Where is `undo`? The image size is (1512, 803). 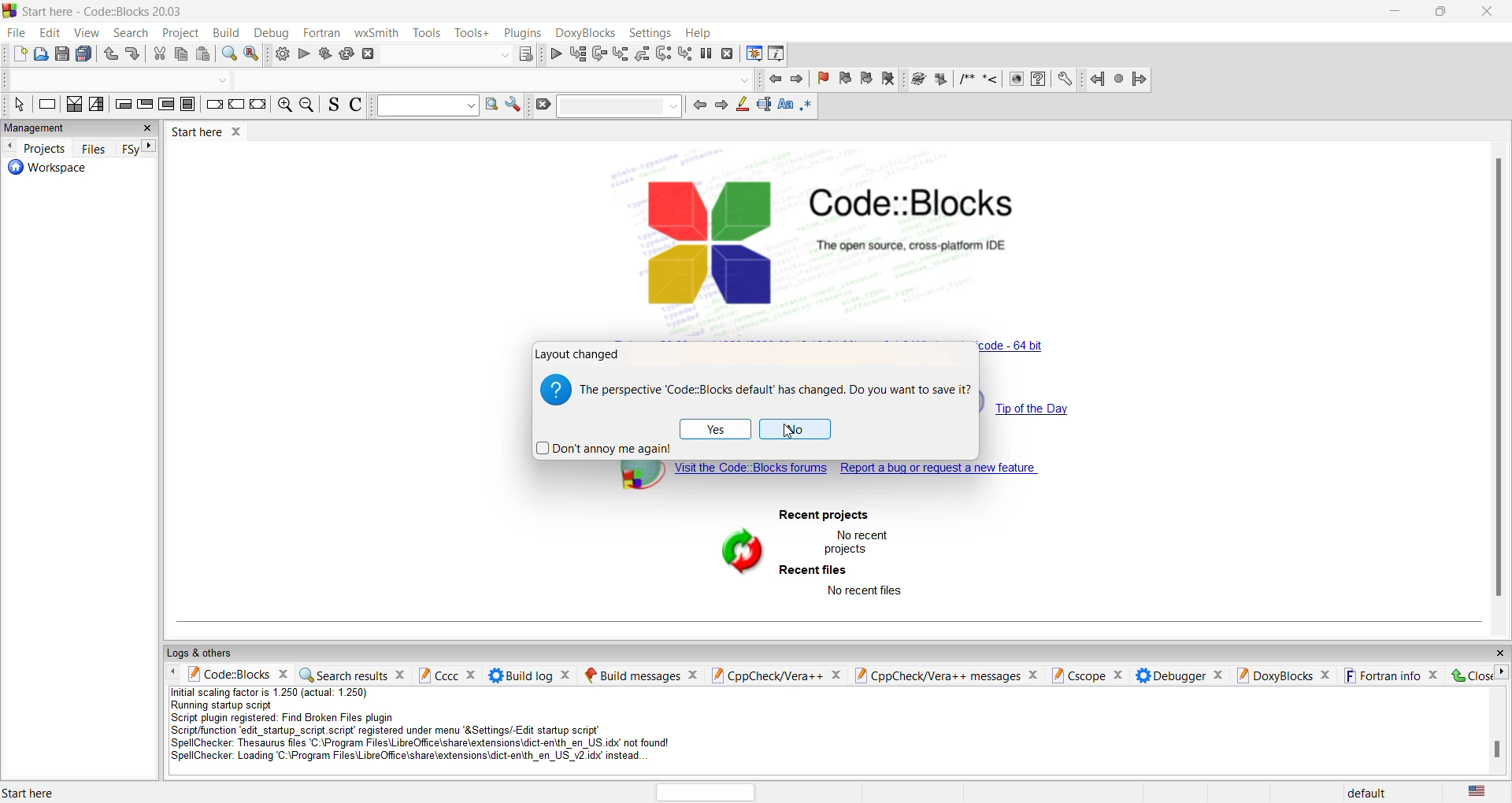
undo is located at coordinates (108, 54).